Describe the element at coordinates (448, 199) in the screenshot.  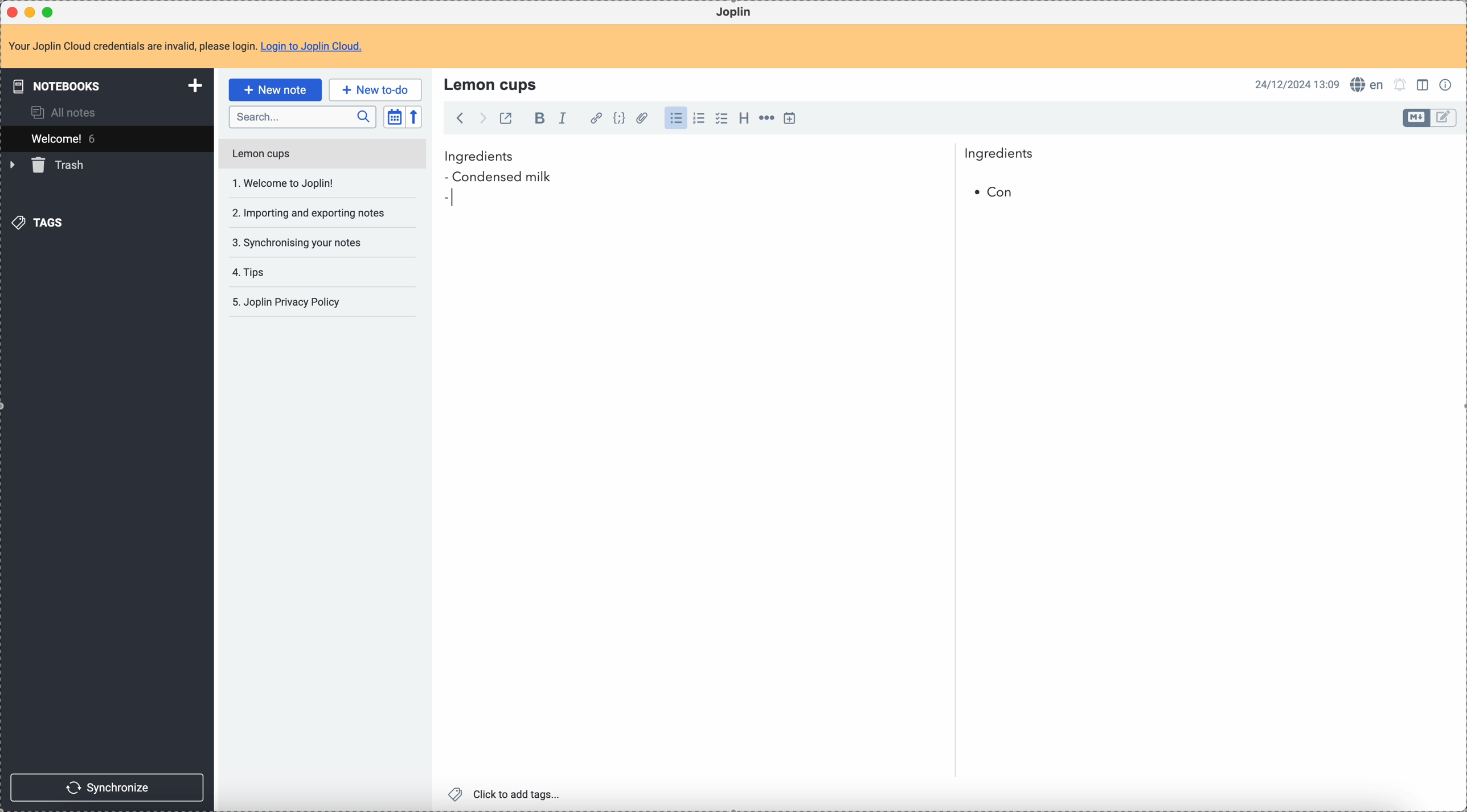
I see `bullet point` at that location.